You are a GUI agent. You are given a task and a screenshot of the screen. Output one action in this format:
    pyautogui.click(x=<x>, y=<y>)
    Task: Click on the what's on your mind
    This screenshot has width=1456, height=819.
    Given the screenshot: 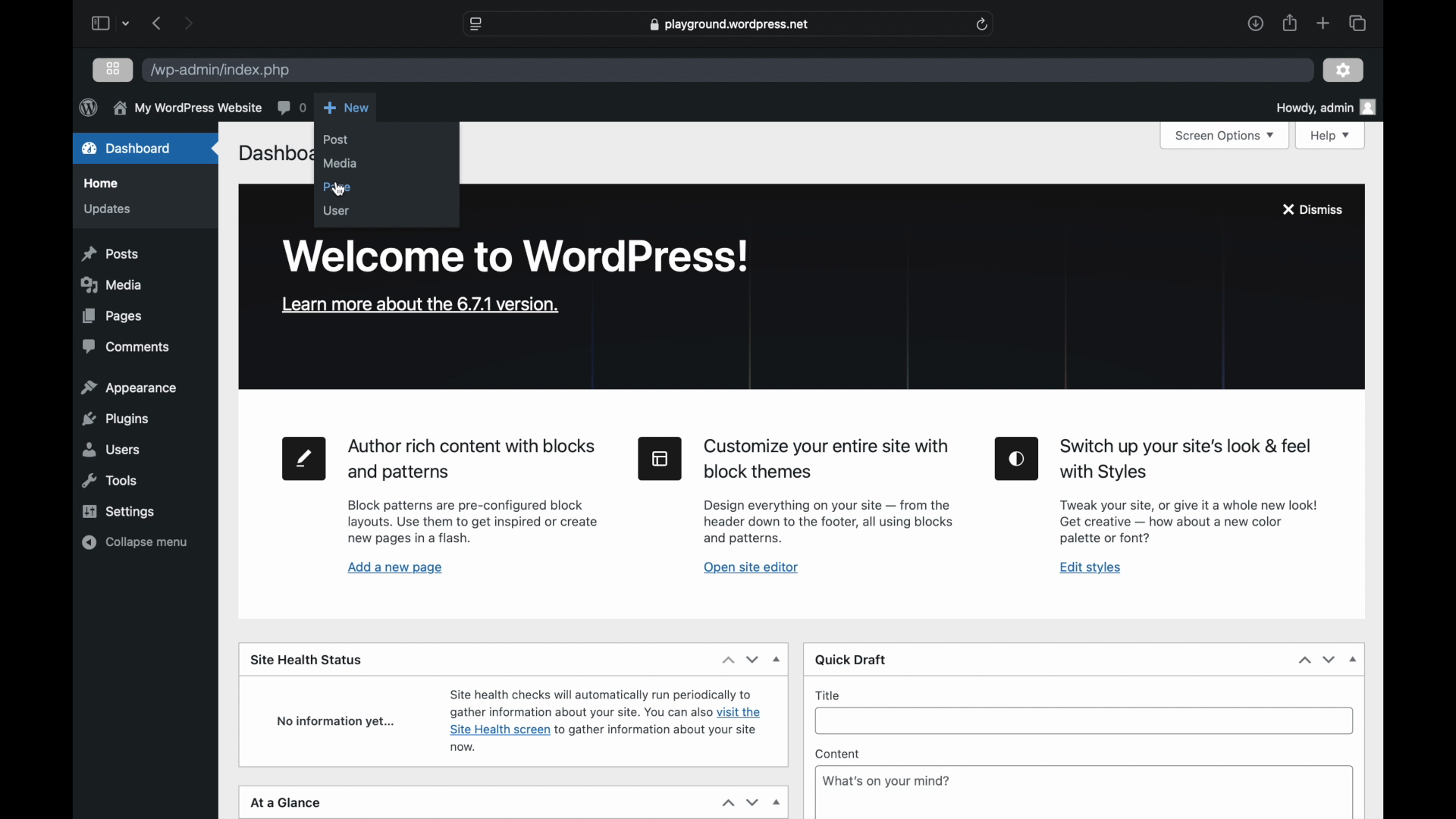 What is the action you would take?
    pyautogui.click(x=886, y=780)
    